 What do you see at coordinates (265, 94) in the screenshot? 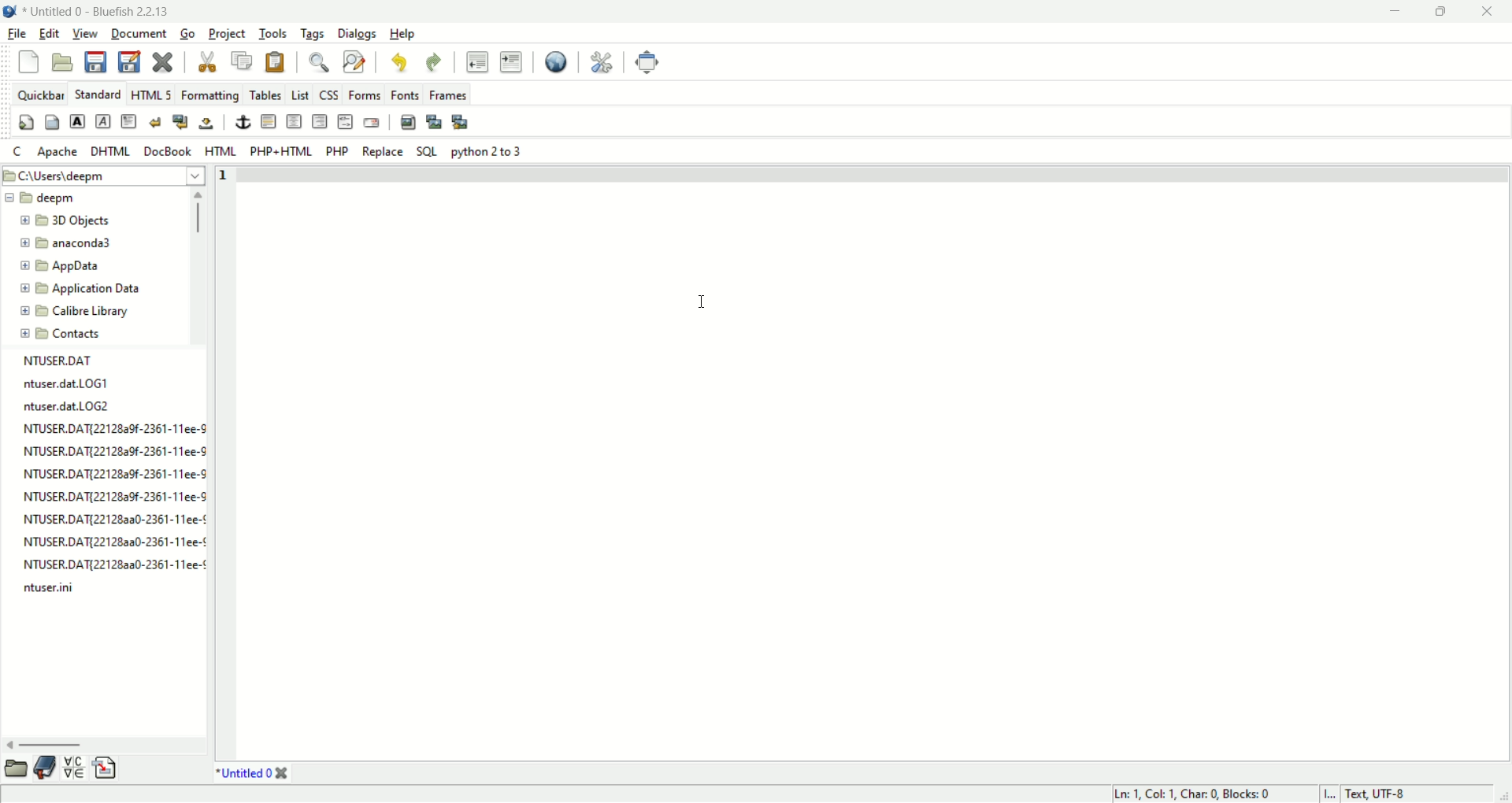
I see `tables` at bounding box center [265, 94].